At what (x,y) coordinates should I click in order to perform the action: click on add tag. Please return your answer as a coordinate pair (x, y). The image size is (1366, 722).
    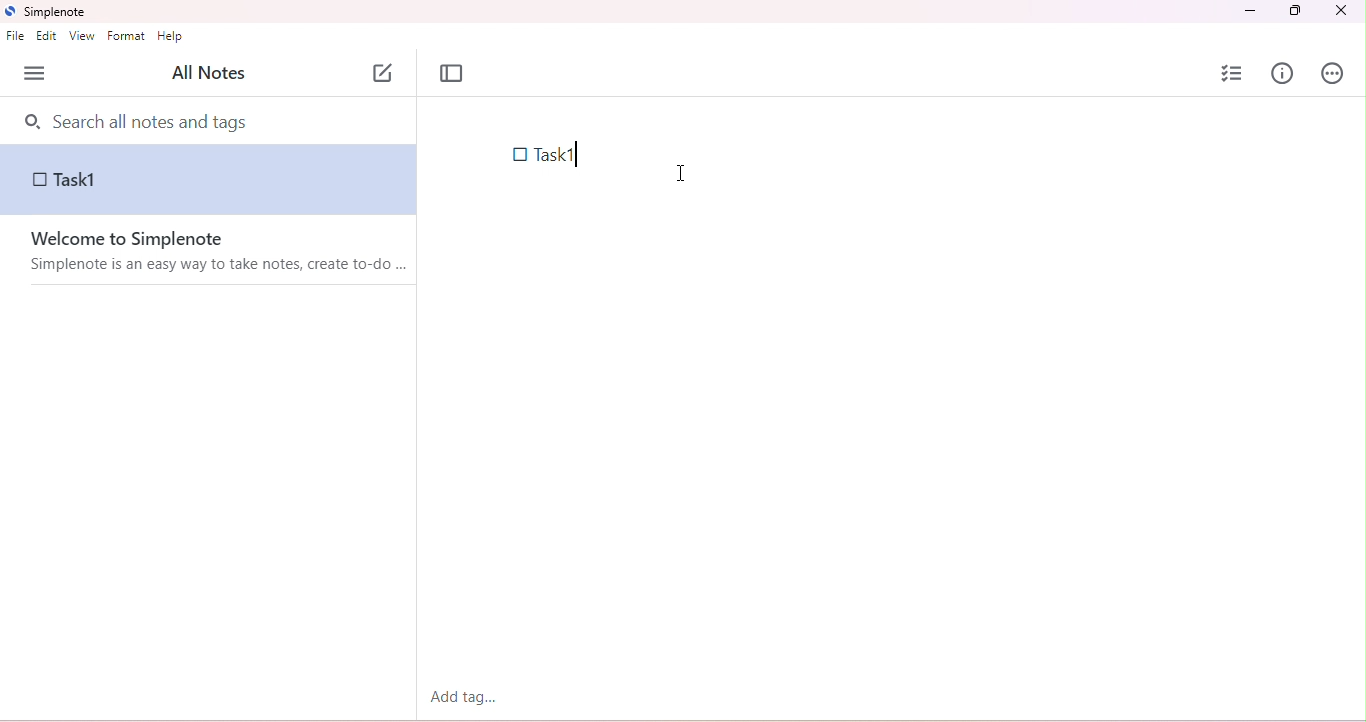
    Looking at the image, I should click on (463, 696).